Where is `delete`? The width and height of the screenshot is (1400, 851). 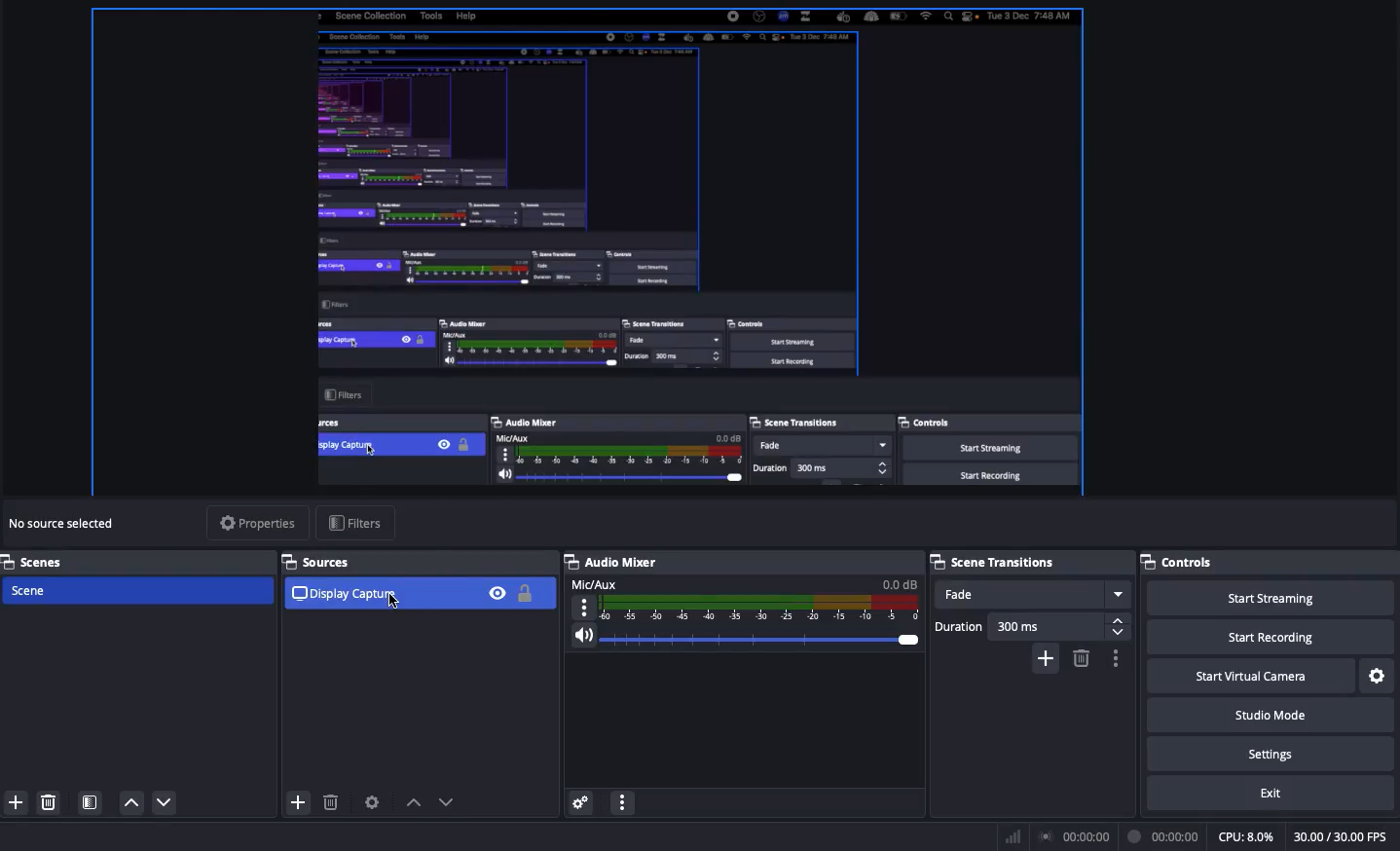
delete is located at coordinates (334, 803).